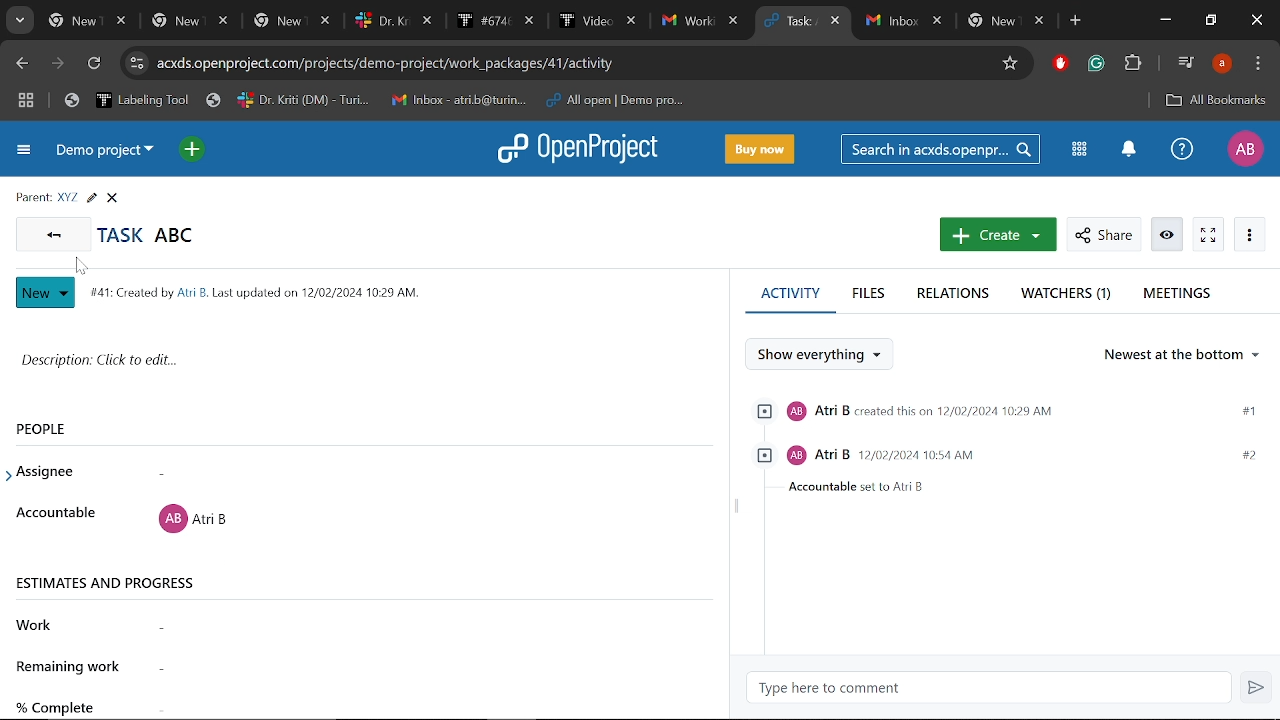 This screenshot has height=720, width=1280. What do you see at coordinates (392, 21) in the screenshot?
I see `Other tabs` at bounding box center [392, 21].